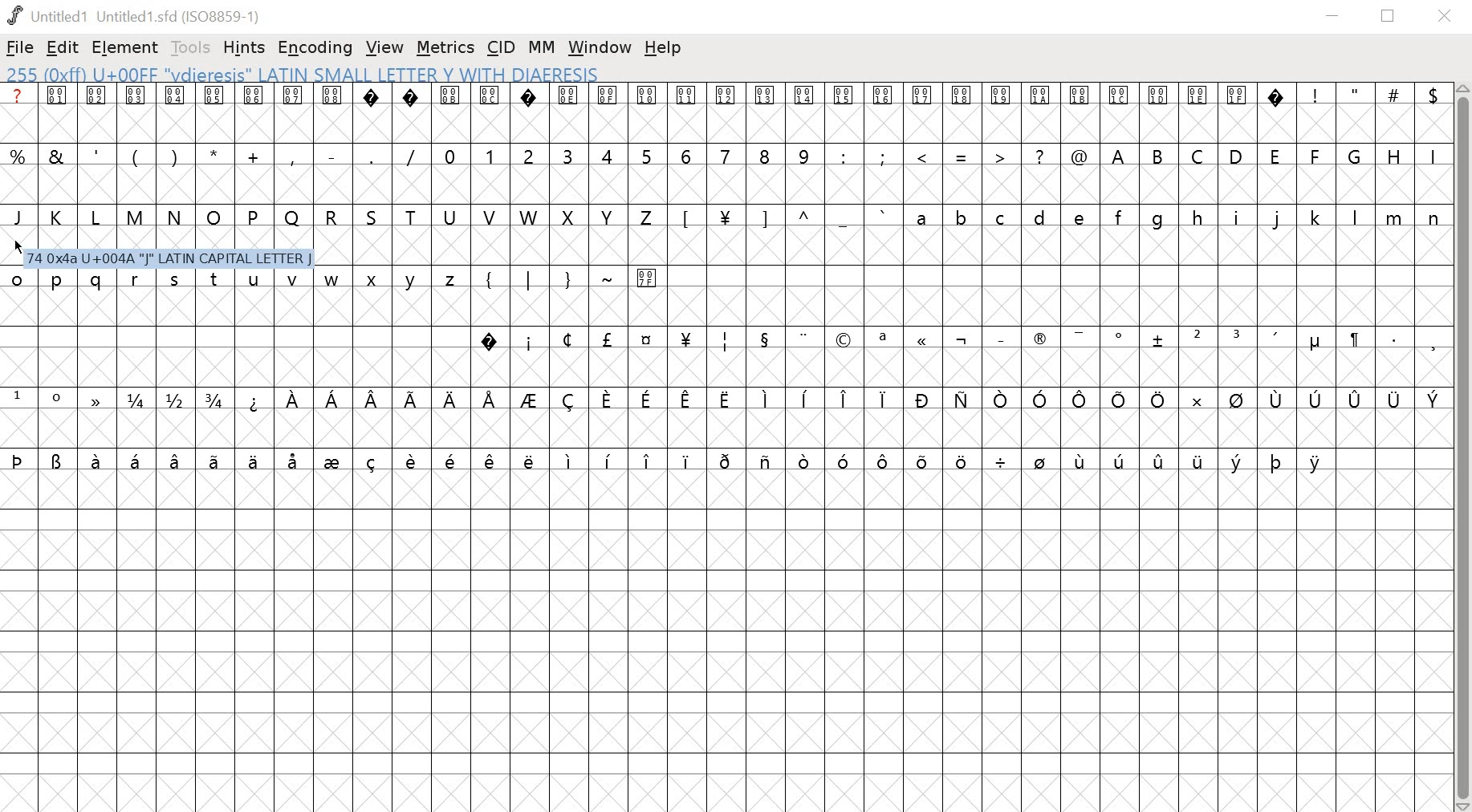  Describe the element at coordinates (1368, 95) in the screenshot. I see `special characters` at that location.